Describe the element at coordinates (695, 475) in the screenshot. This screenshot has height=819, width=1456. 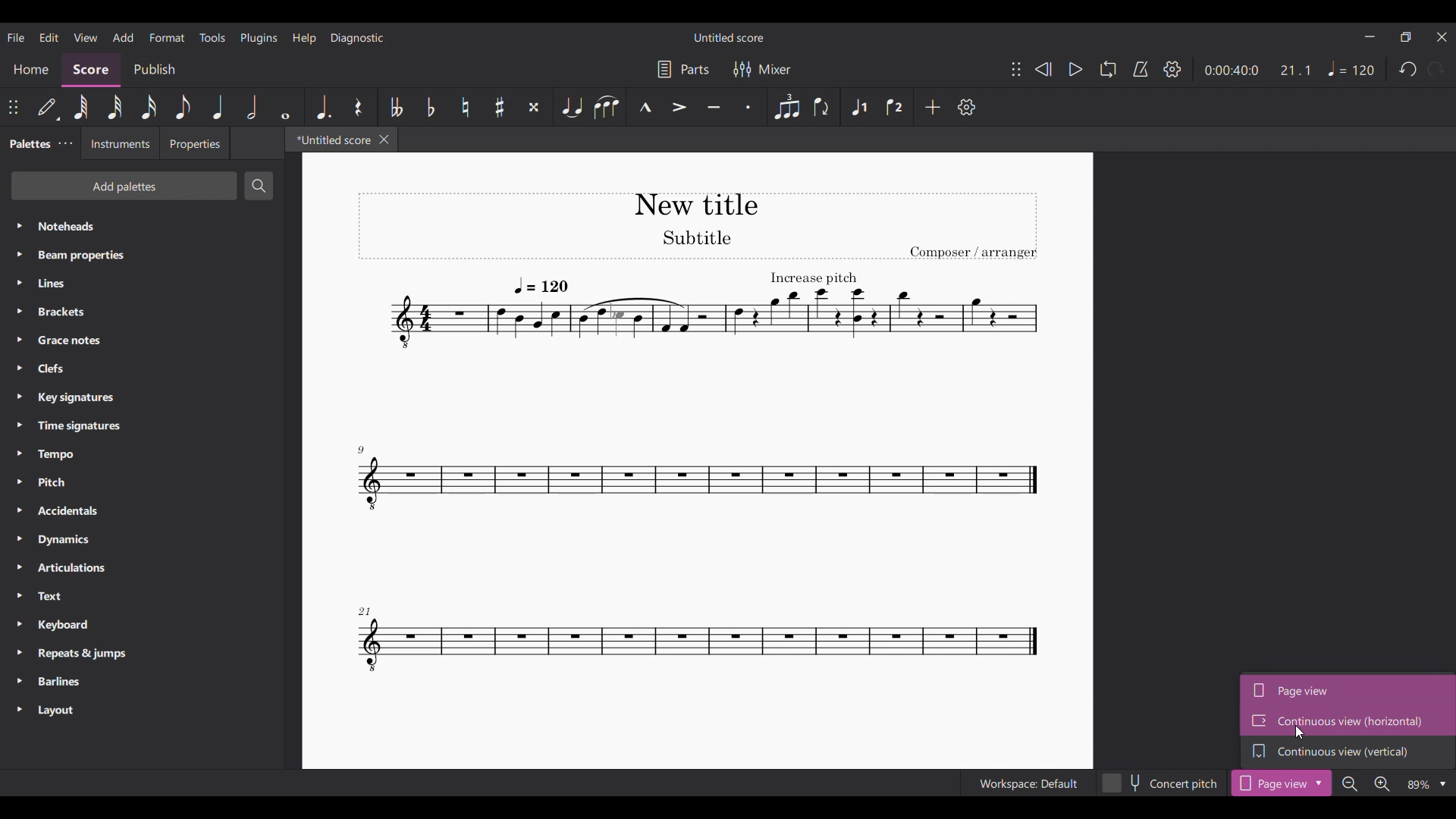
I see `Current score` at that location.